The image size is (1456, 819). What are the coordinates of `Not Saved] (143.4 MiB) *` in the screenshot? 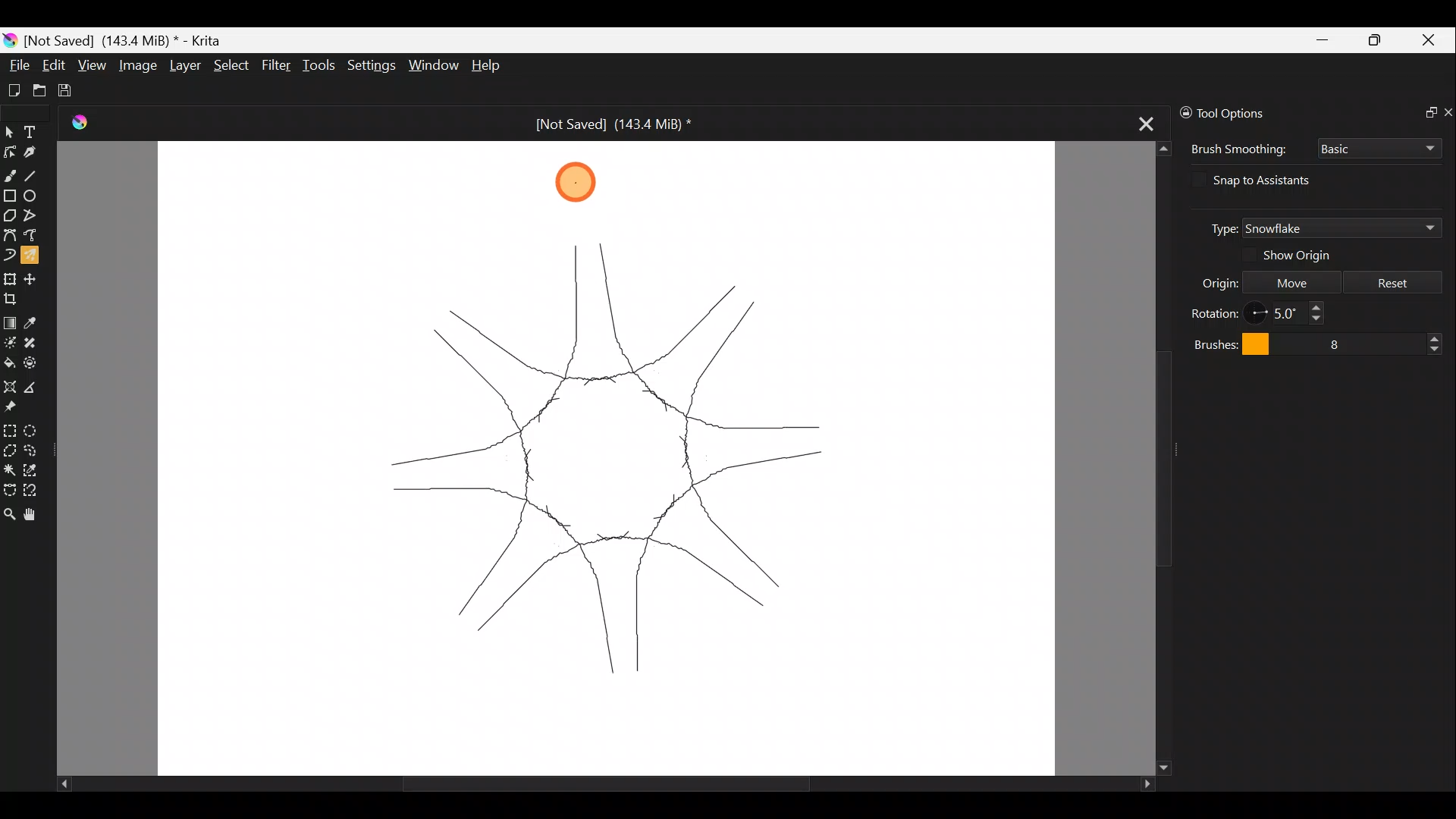 It's located at (129, 39).